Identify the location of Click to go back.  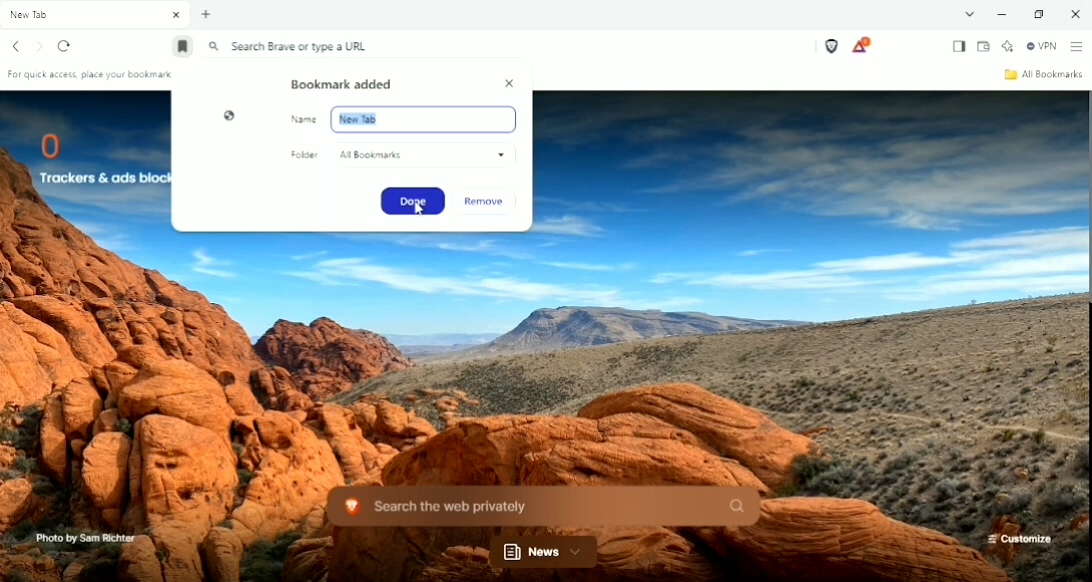
(17, 46).